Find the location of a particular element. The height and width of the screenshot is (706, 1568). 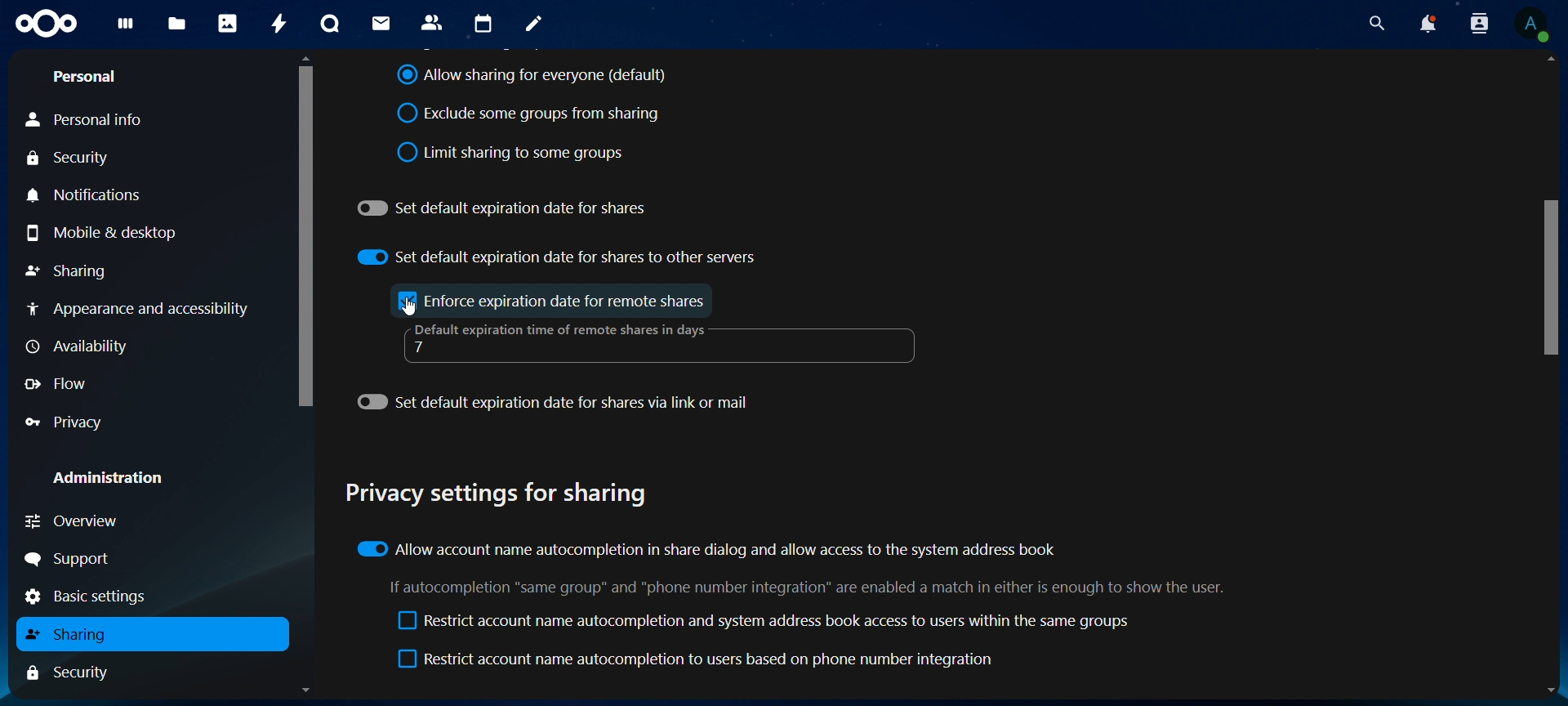

Set default expiration date is located at coordinates (557, 405).